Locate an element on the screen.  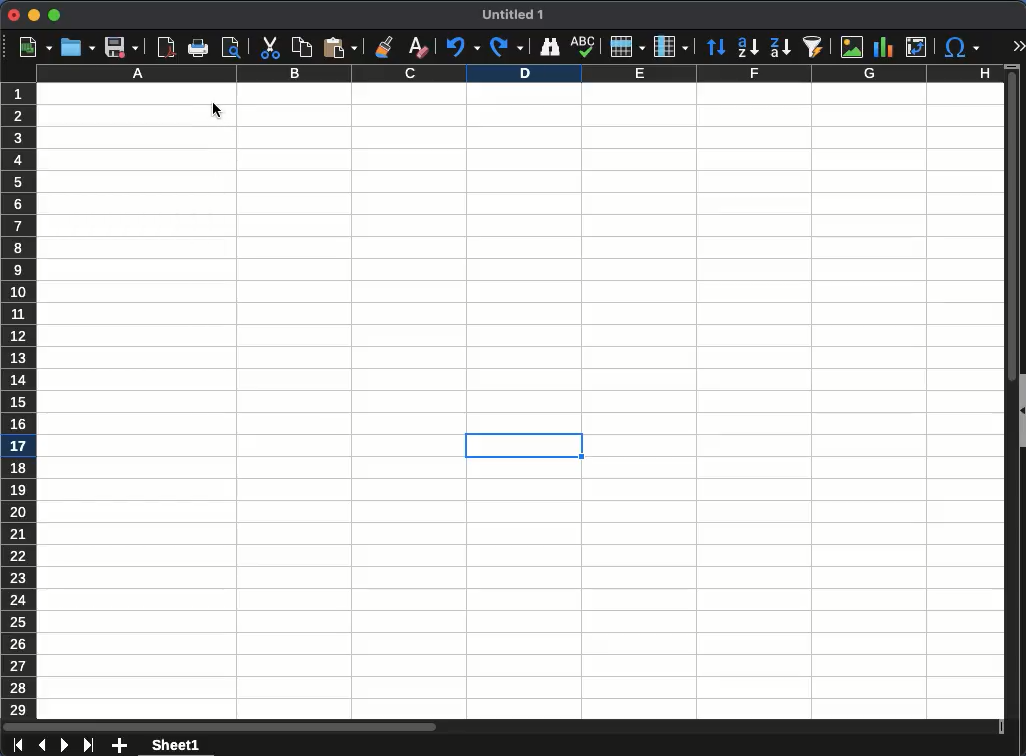
print is located at coordinates (199, 48).